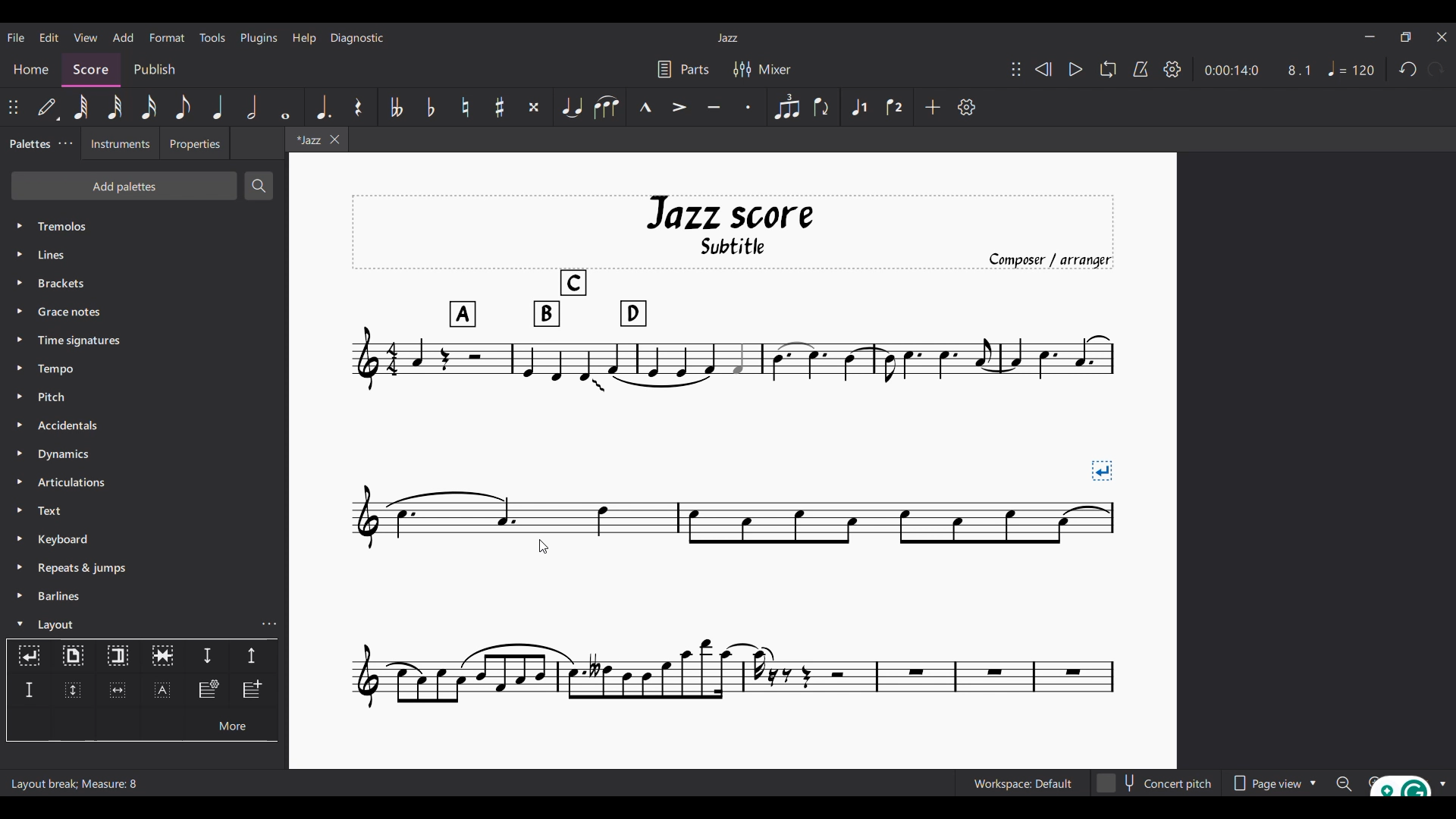 This screenshot has height=819, width=1456. Describe the element at coordinates (259, 38) in the screenshot. I see `Plugins menu` at that location.